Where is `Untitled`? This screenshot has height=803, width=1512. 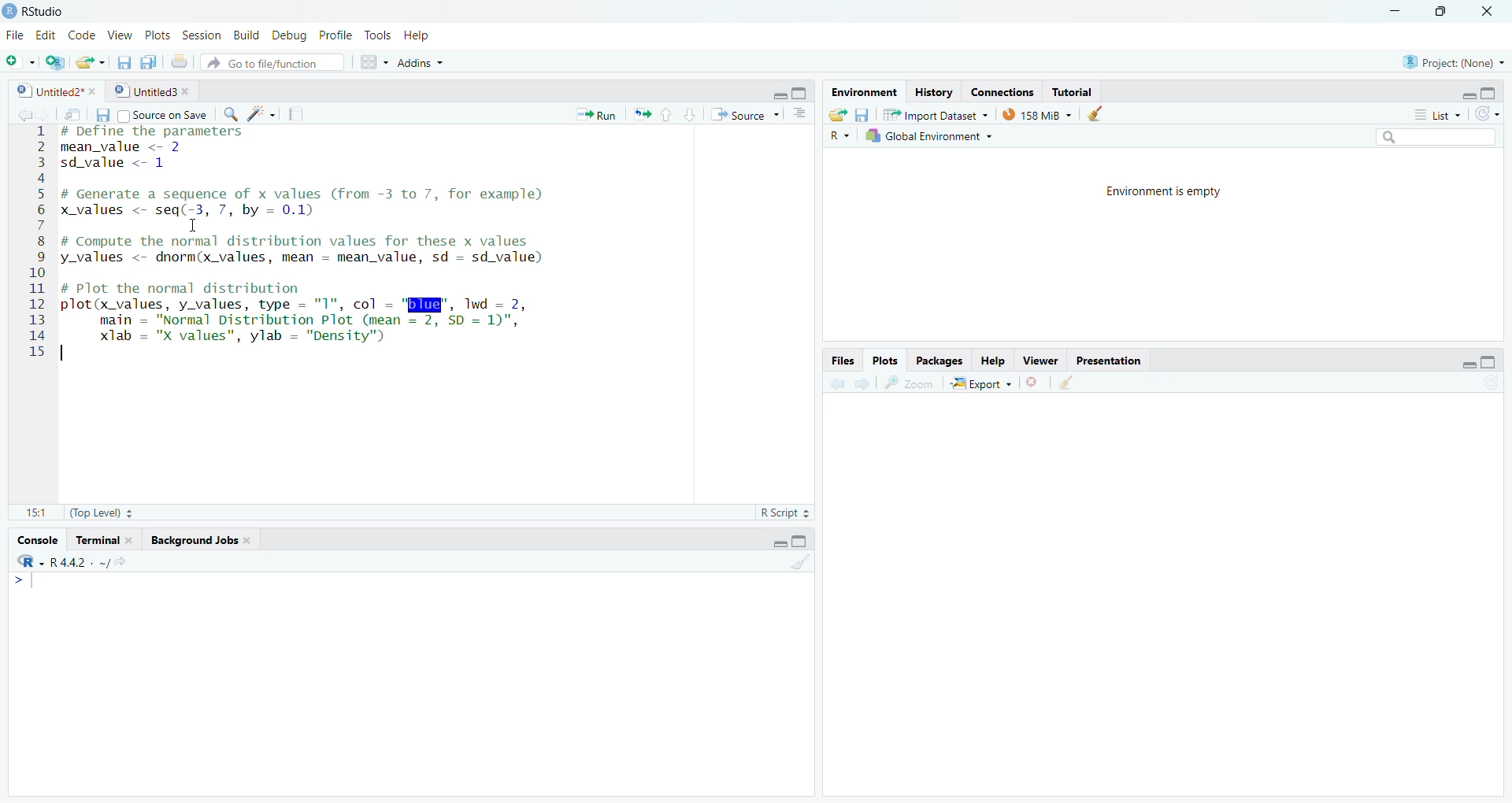 Untitled is located at coordinates (154, 90).